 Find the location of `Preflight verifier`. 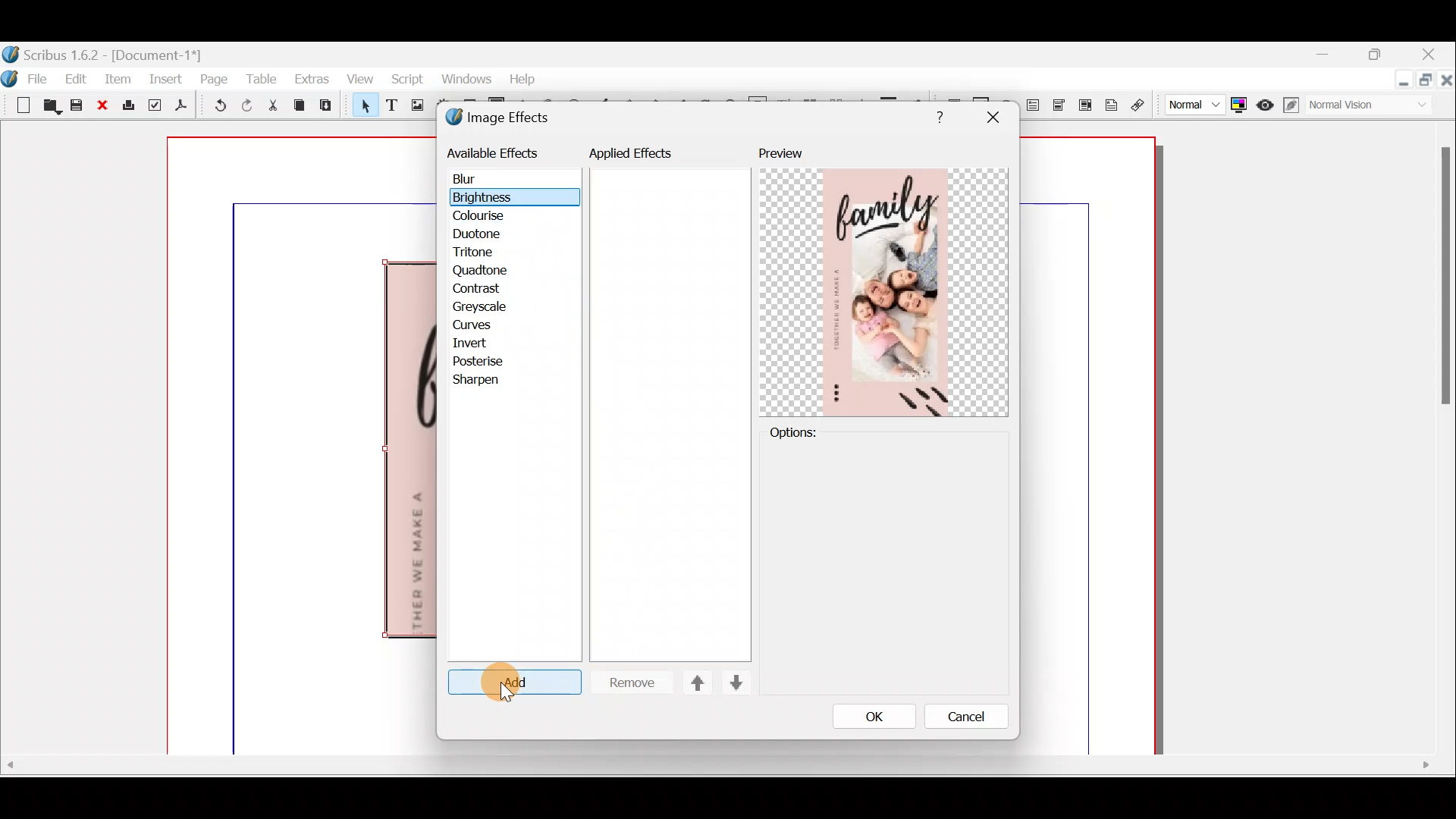

Preflight verifier is located at coordinates (155, 108).